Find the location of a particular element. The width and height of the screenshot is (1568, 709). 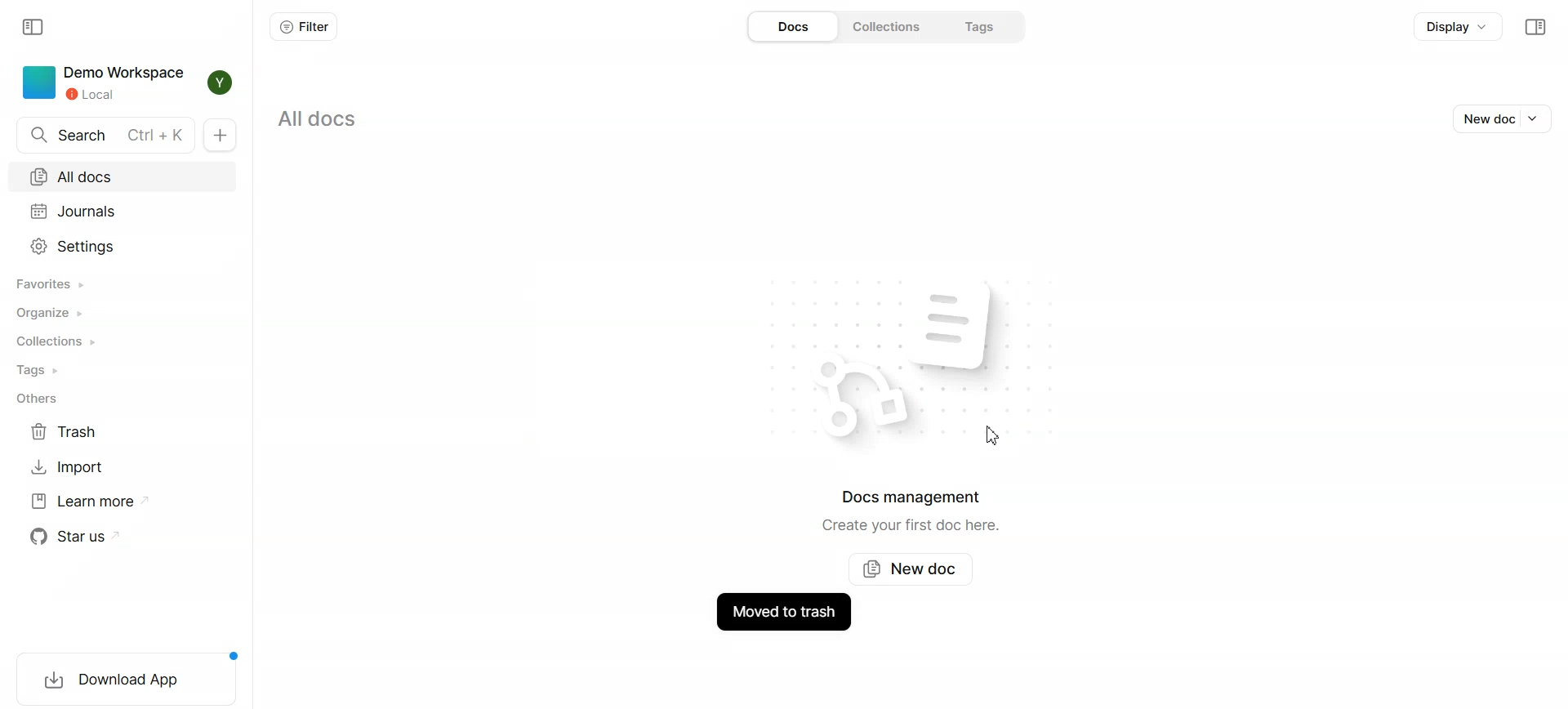

Journals is located at coordinates (121, 213).